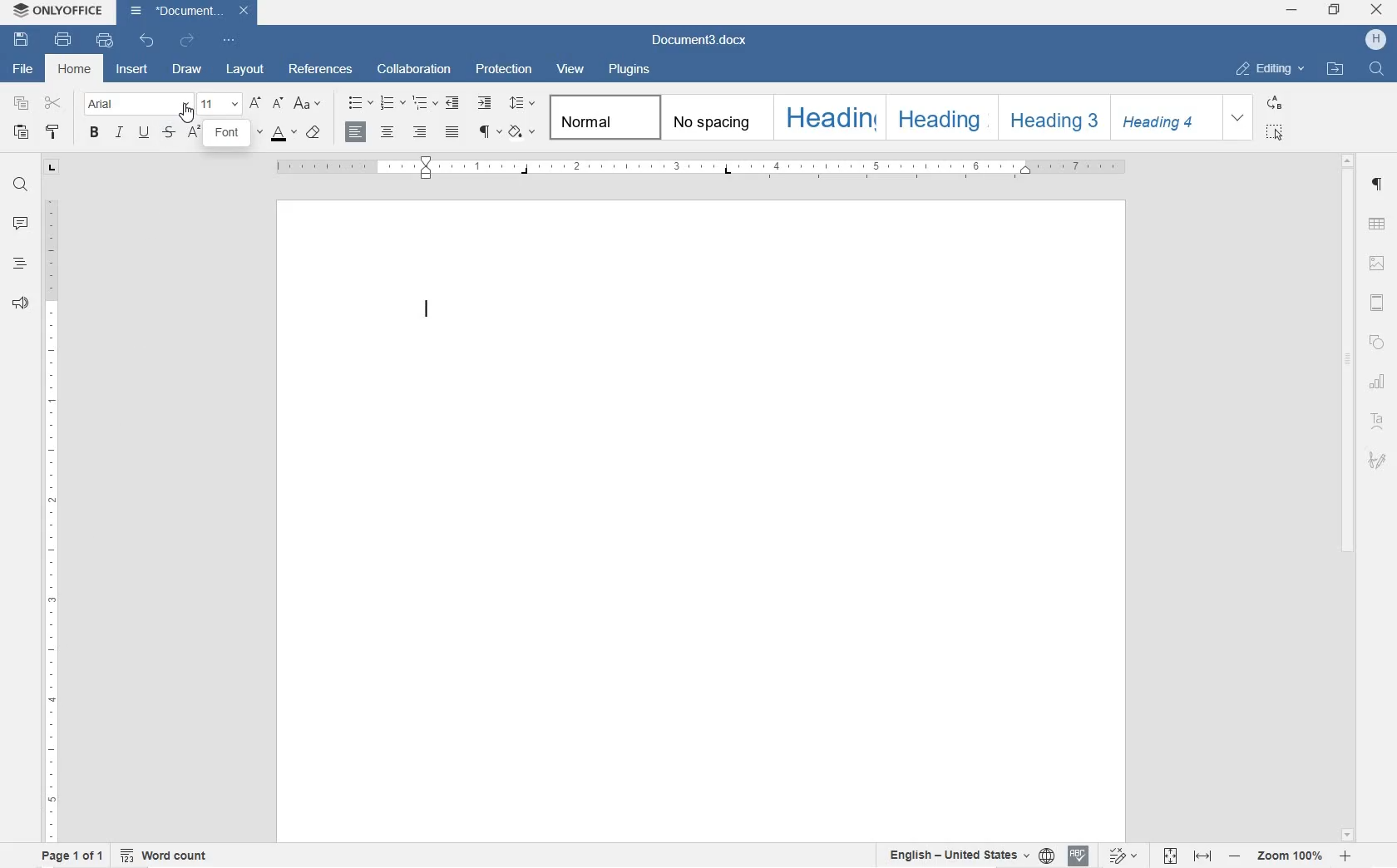  I want to click on PARAGRAPH SETTINGS, so click(1375, 185).